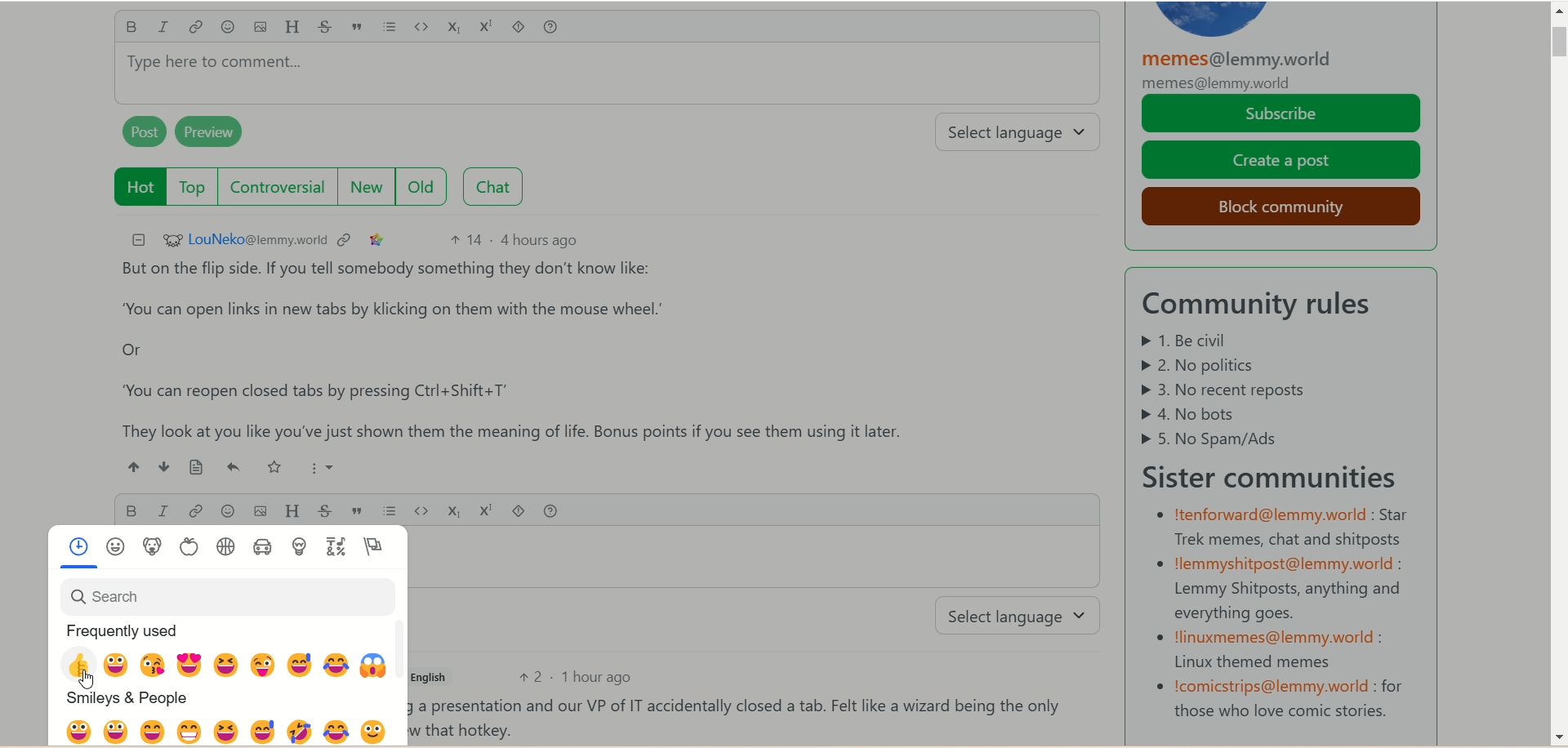 This screenshot has height=748, width=1568. What do you see at coordinates (550, 510) in the screenshot?
I see `help` at bounding box center [550, 510].